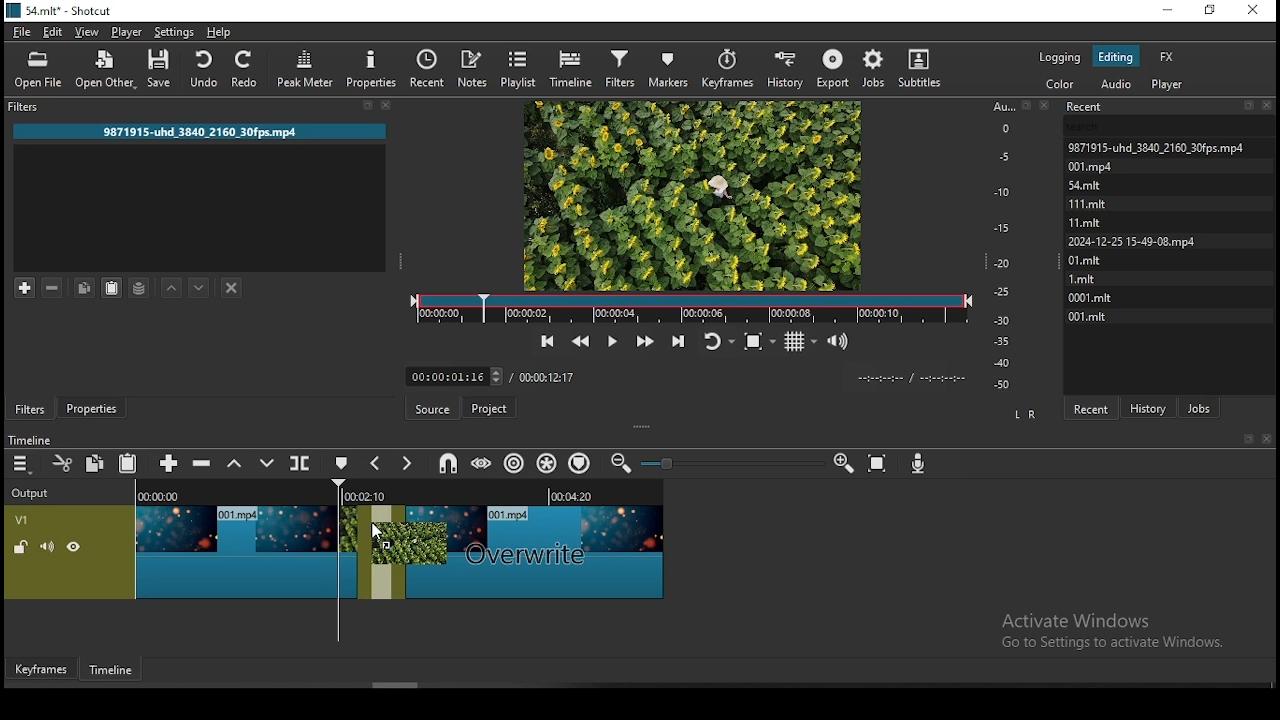 This screenshot has height=720, width=1280. I want to click on color, so click(1062, 86).